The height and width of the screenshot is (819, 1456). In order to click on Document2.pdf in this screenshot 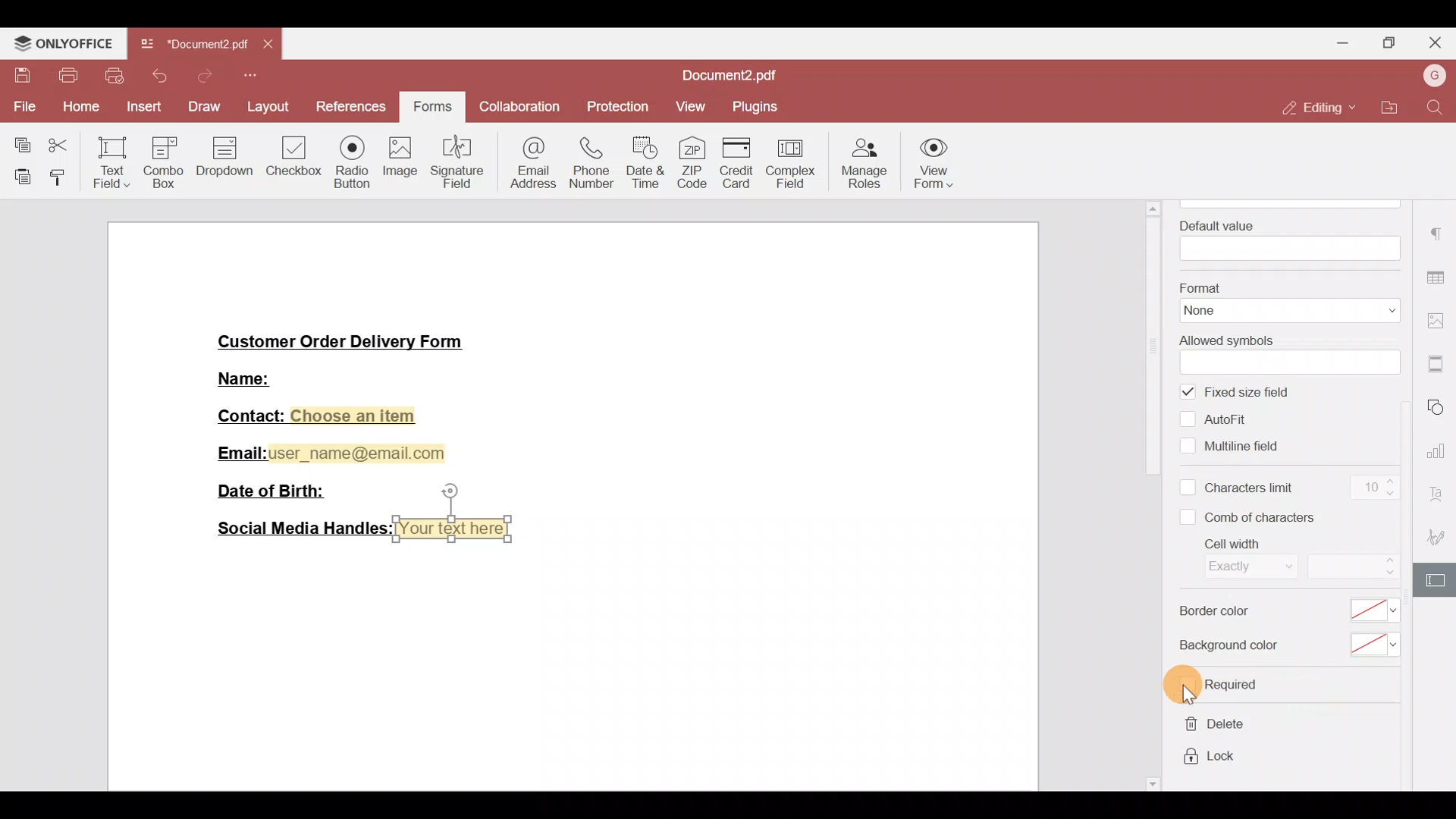, I will do `click(736, 76)`.